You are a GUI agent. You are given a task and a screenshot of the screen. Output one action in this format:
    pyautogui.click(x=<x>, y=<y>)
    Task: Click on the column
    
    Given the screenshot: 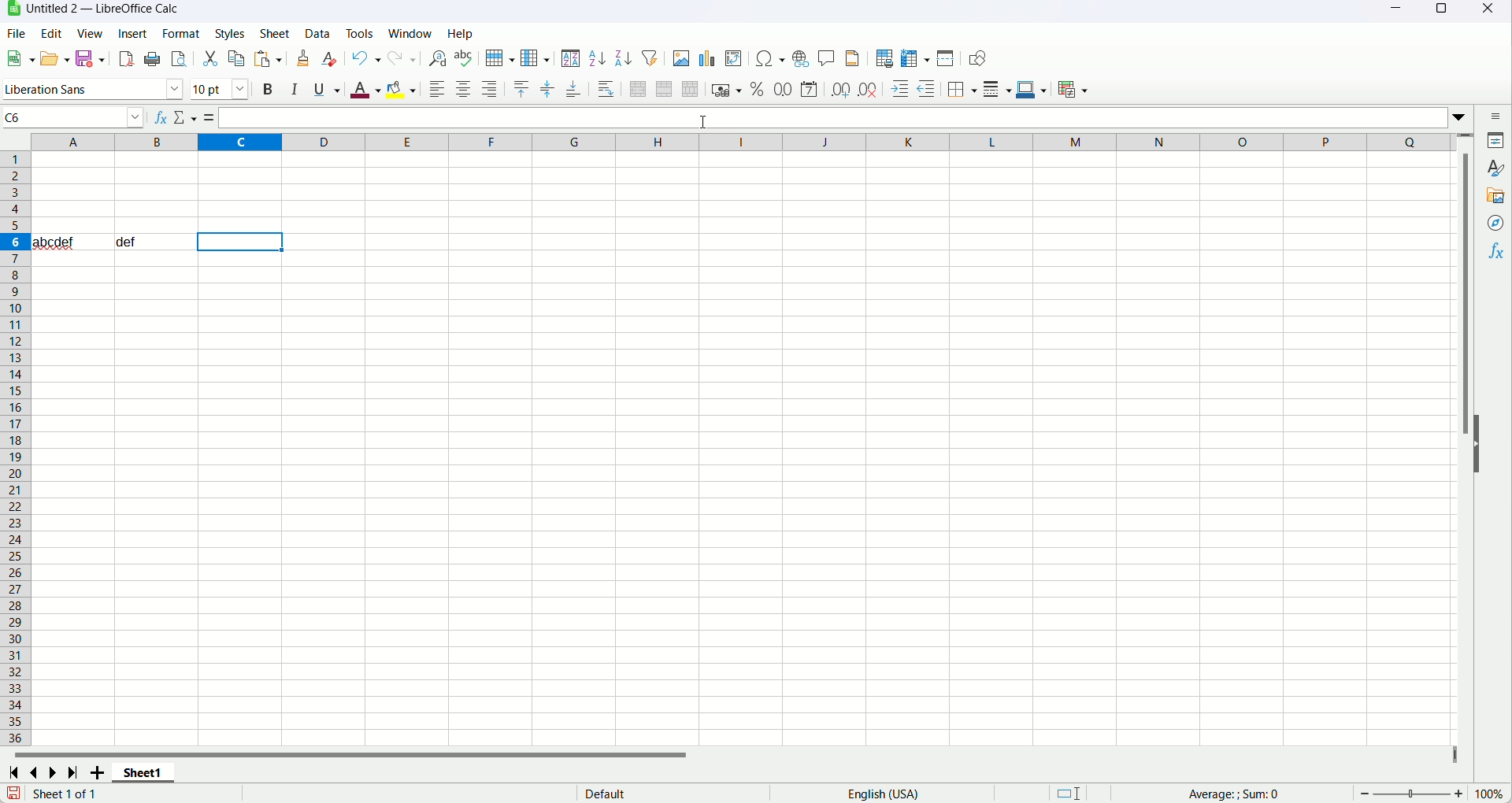 What is the action you would take?
    pyautogui.click(x=741, y=142)
    